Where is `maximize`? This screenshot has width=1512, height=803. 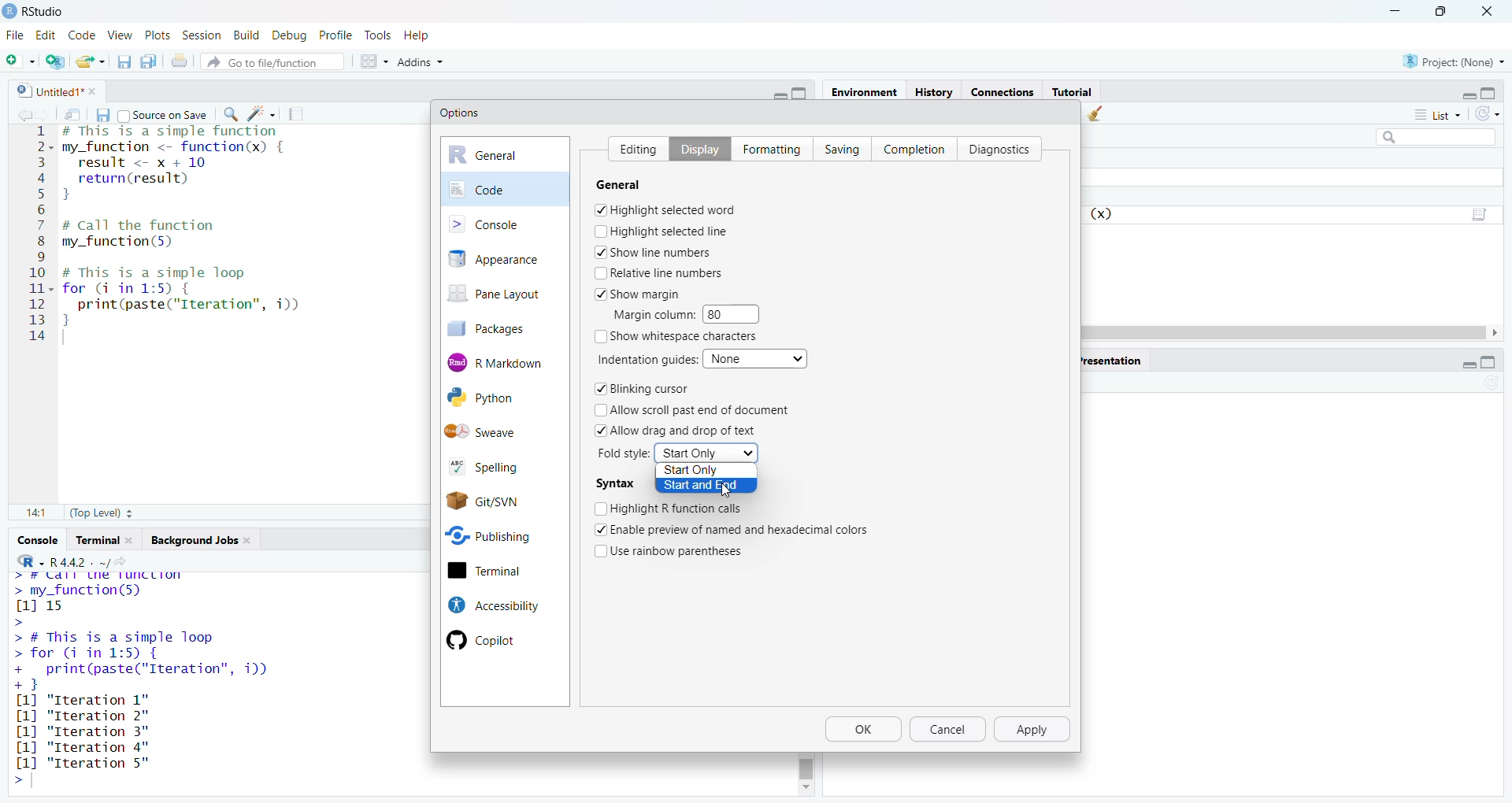
maximize is located at coordinates (805, 93).